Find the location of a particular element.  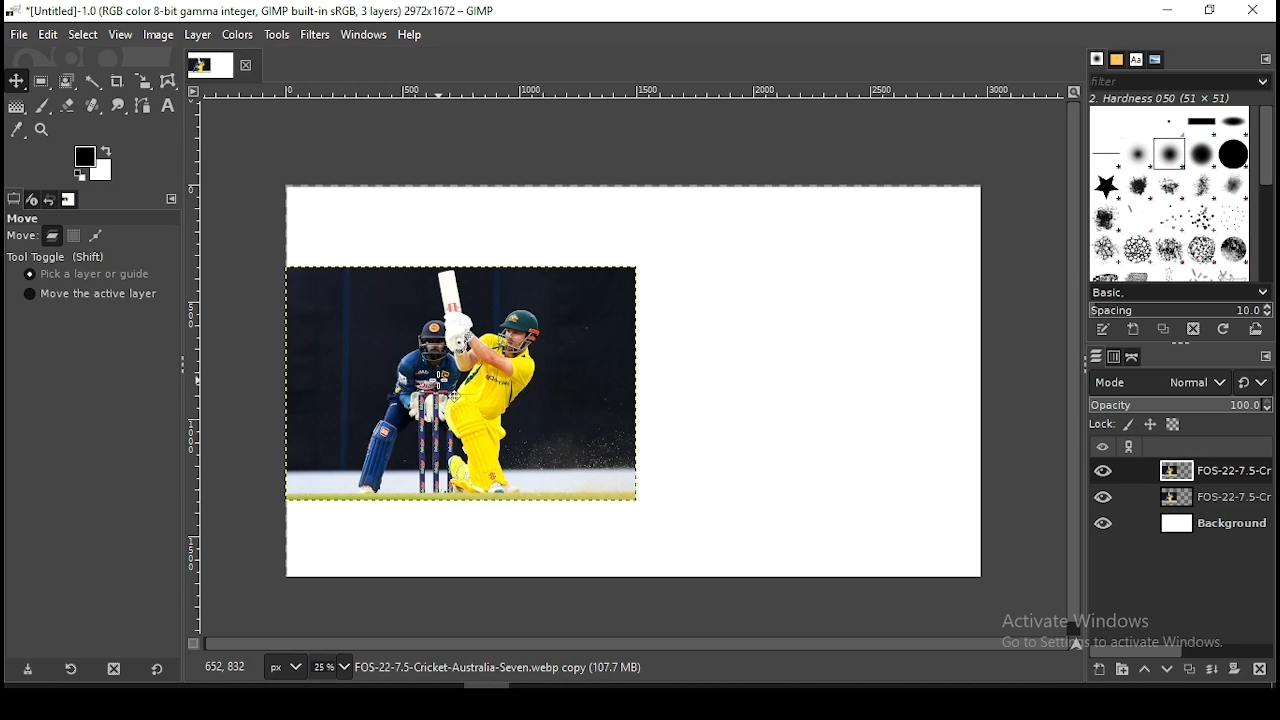

fuzzy select tool is located at coordinates (96, 80).